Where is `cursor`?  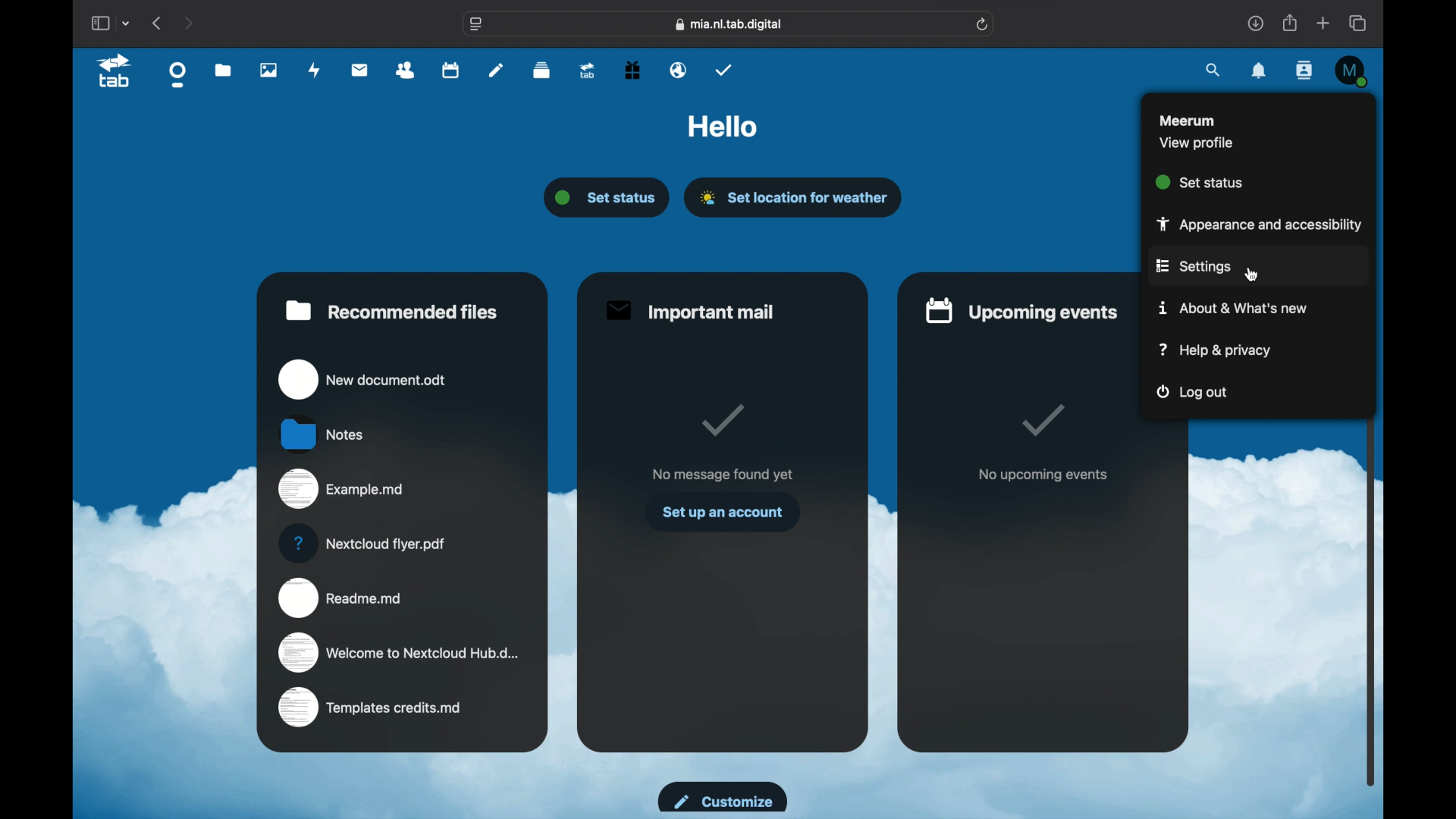 cursor is located at coordinates (1254, 275).